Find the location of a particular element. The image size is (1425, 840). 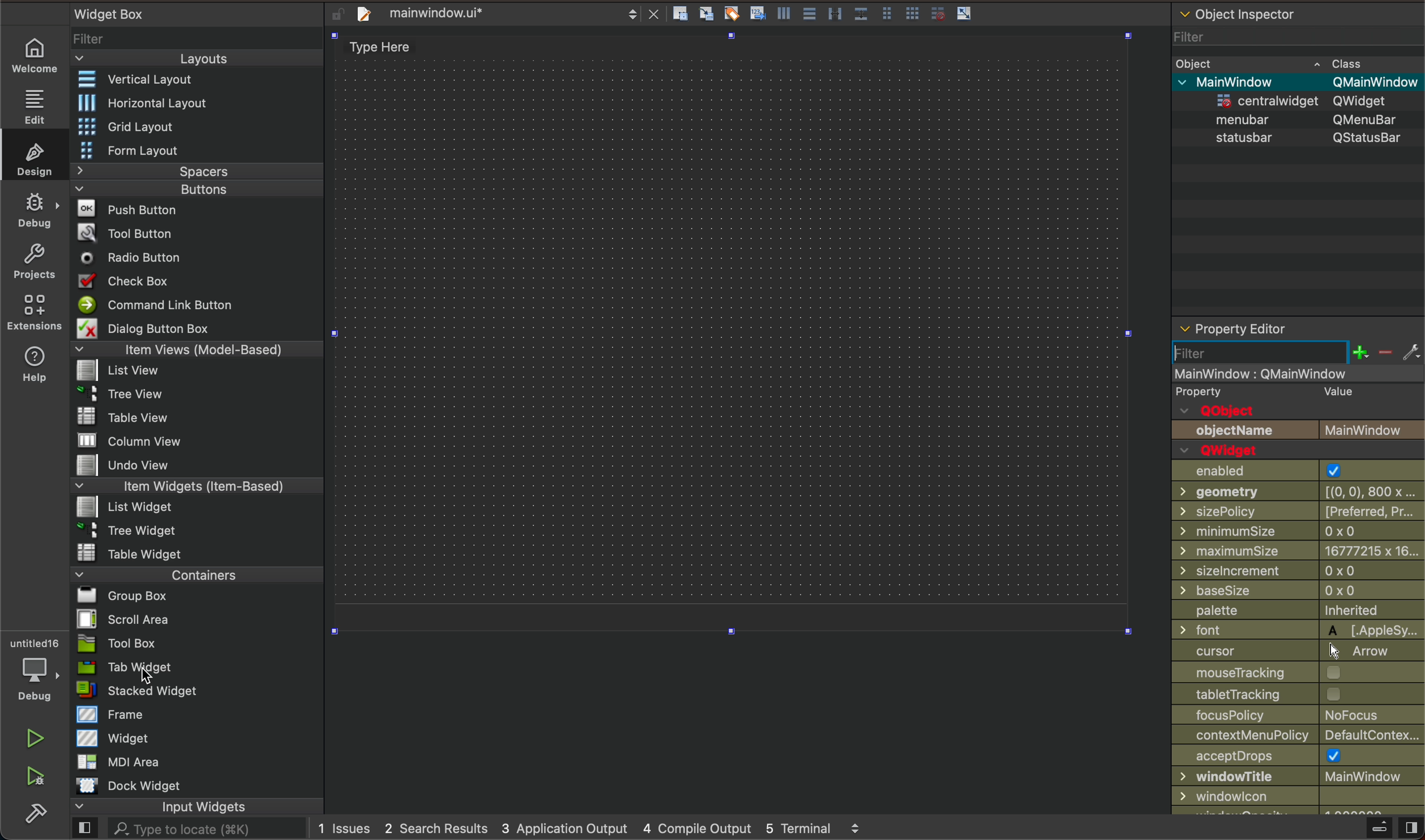

Containers is located at coordinates (194, 573).